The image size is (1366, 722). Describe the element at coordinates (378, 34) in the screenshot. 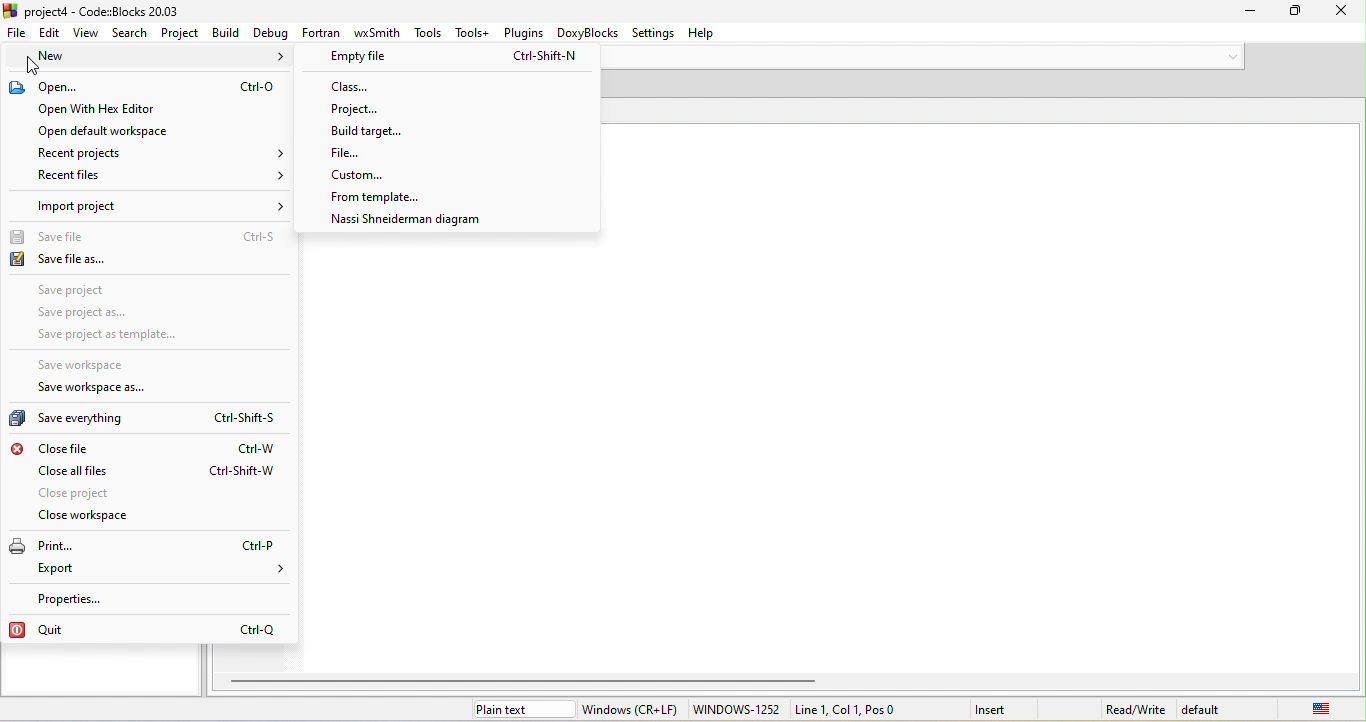

I see `wxsmith` at that location.